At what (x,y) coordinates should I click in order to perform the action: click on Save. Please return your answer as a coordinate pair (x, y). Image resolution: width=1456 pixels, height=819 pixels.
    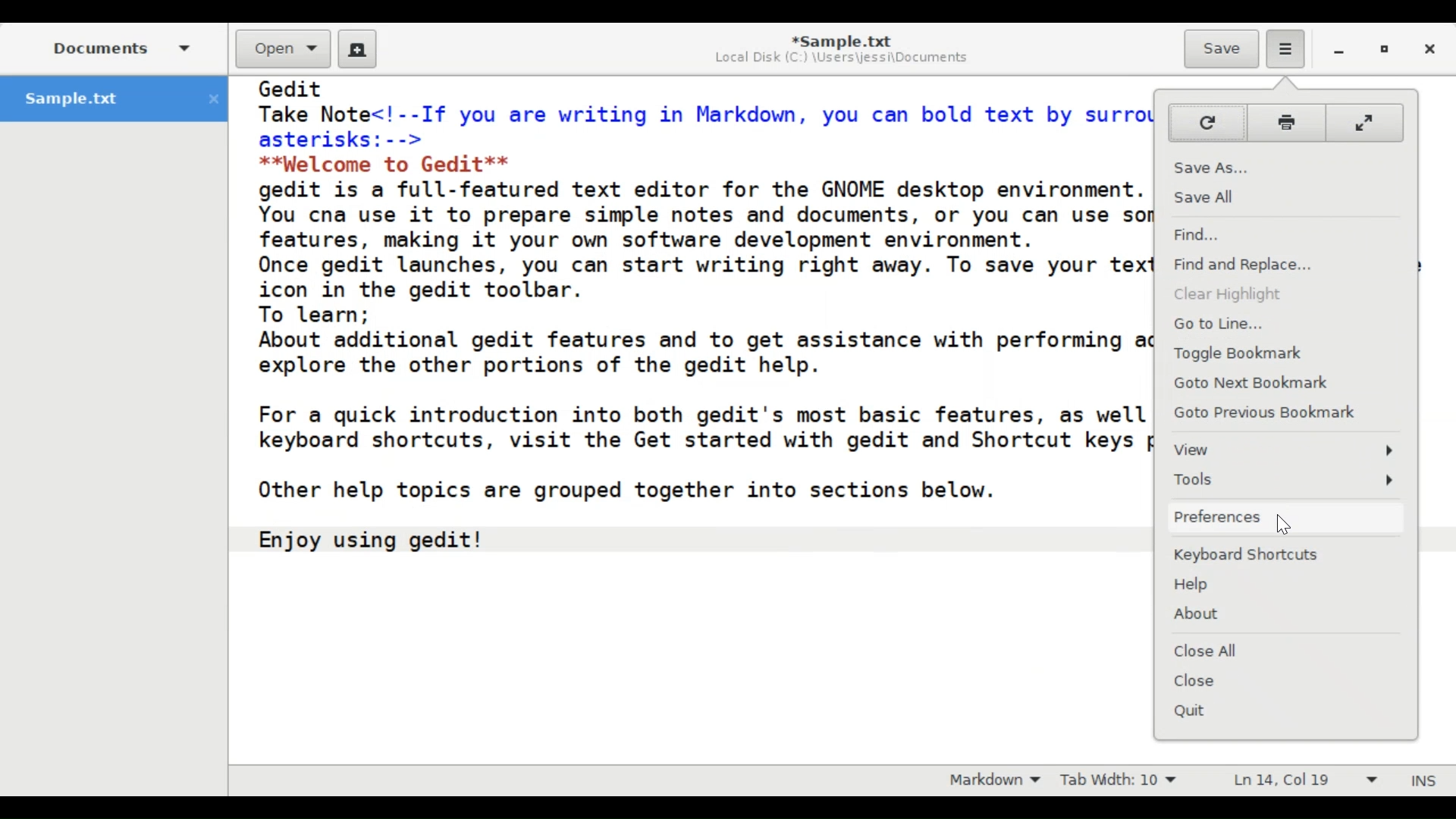
    Looking at the image, I should click on (1220, 49).